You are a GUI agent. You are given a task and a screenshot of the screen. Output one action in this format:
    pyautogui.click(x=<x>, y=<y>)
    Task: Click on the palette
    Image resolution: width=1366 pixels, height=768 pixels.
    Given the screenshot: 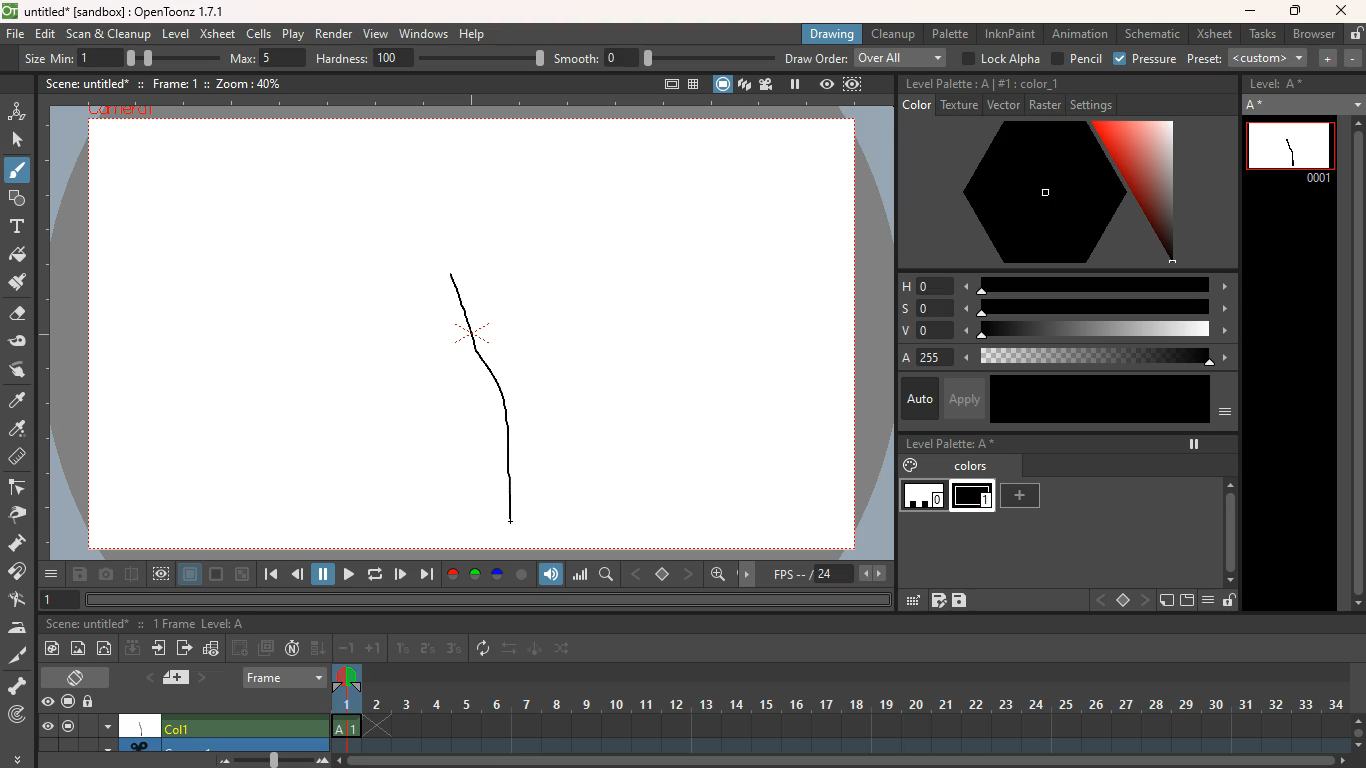 What is the action you would take?
    pyautogui.click(x=952, y=33)
    